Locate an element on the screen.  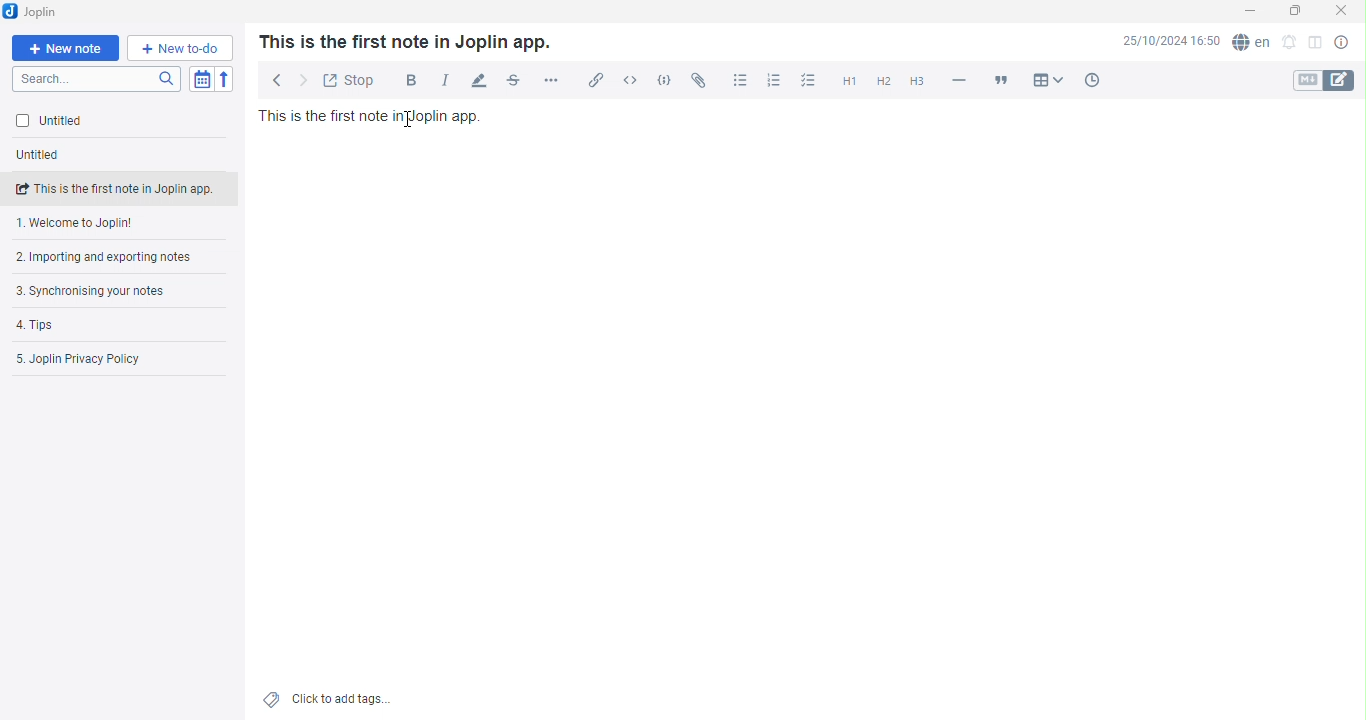
Text in note is located at coordinates (373, 116).